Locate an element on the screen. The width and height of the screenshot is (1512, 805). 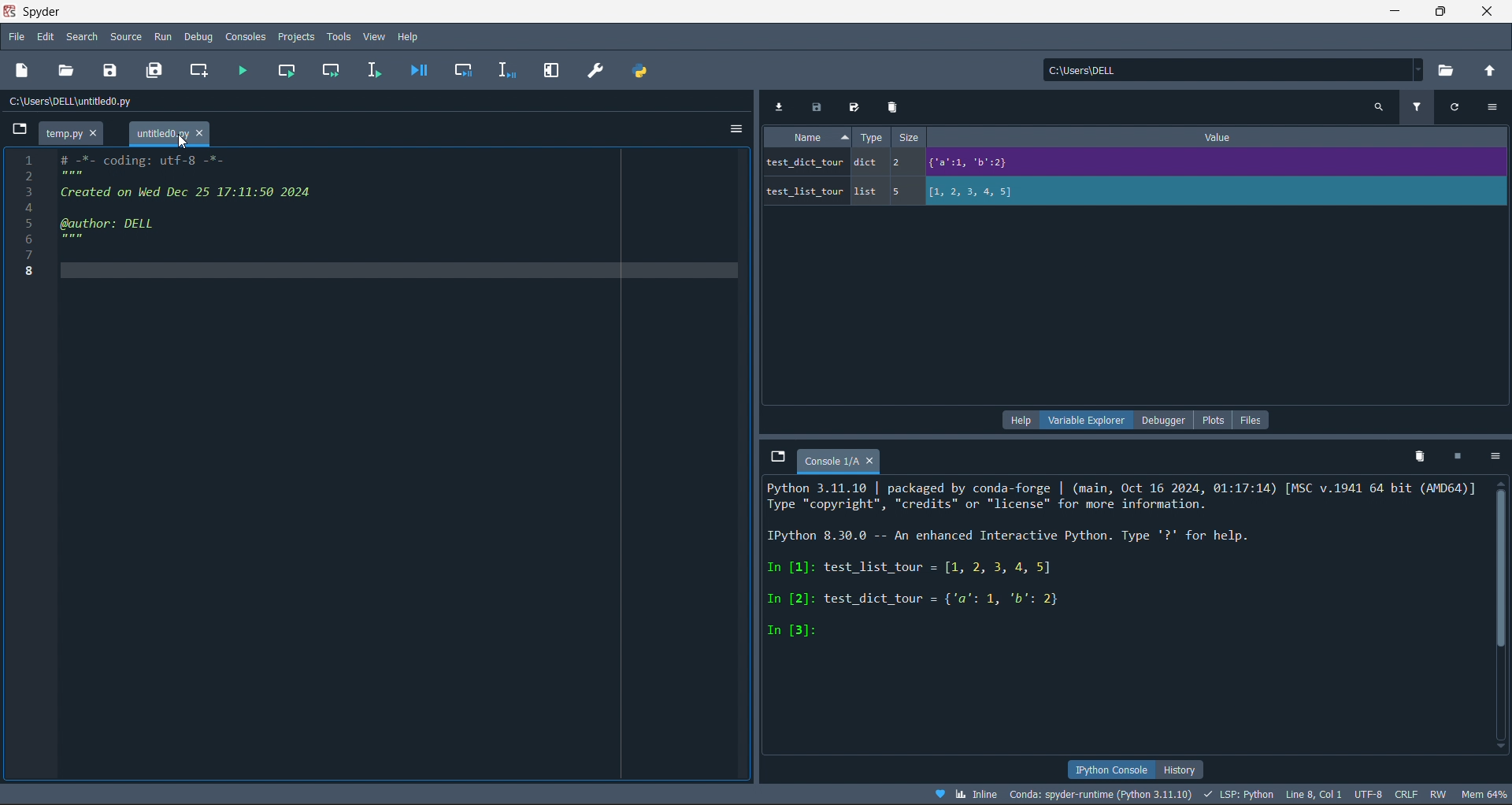
UTF-8 CRLF is located at coordinates (1388, 796).